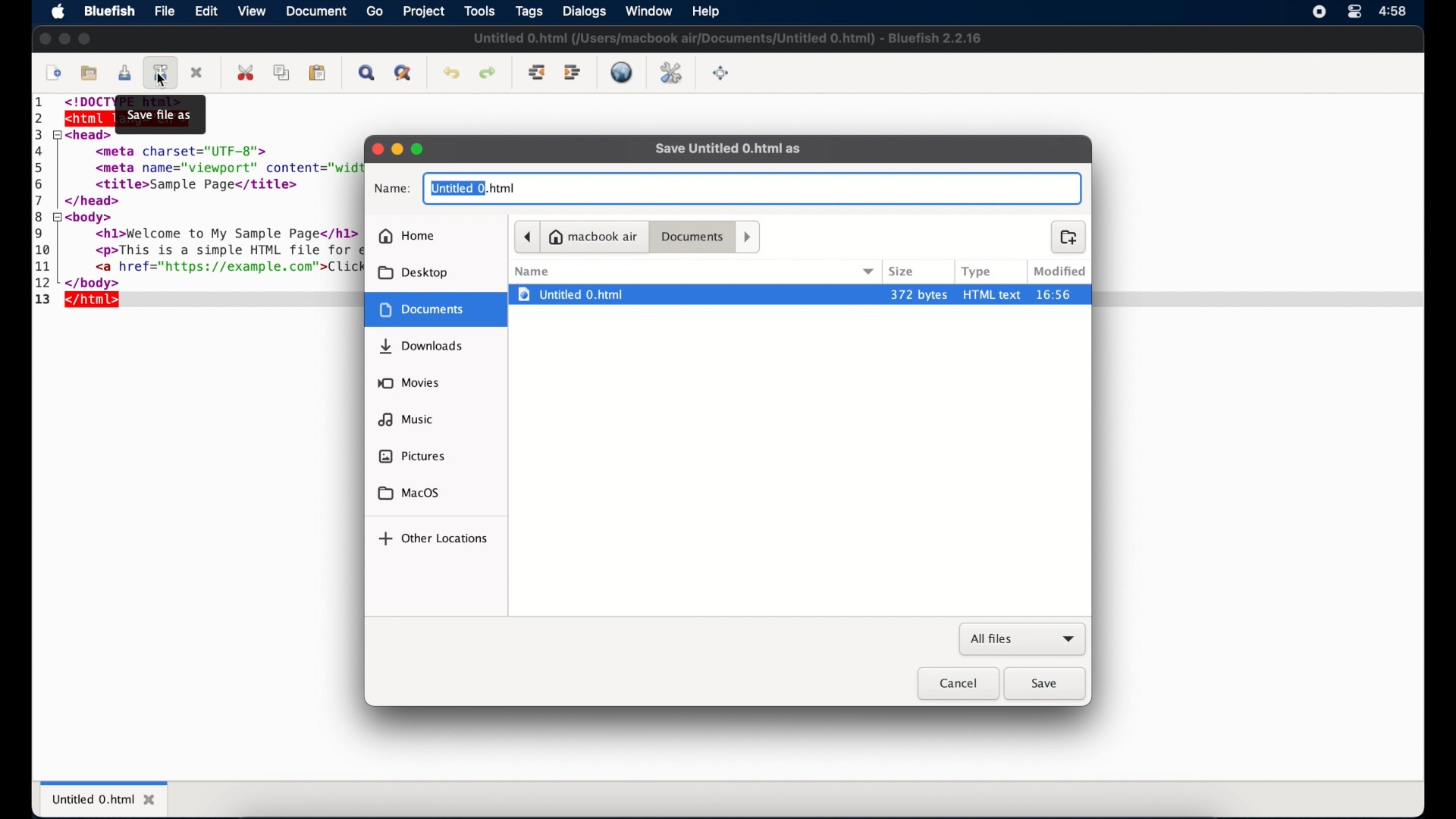 This screenshot has height=819, width=1456. Describe the element at coordinates (409, 494) in the screenshot. I see `macOS` at that location.